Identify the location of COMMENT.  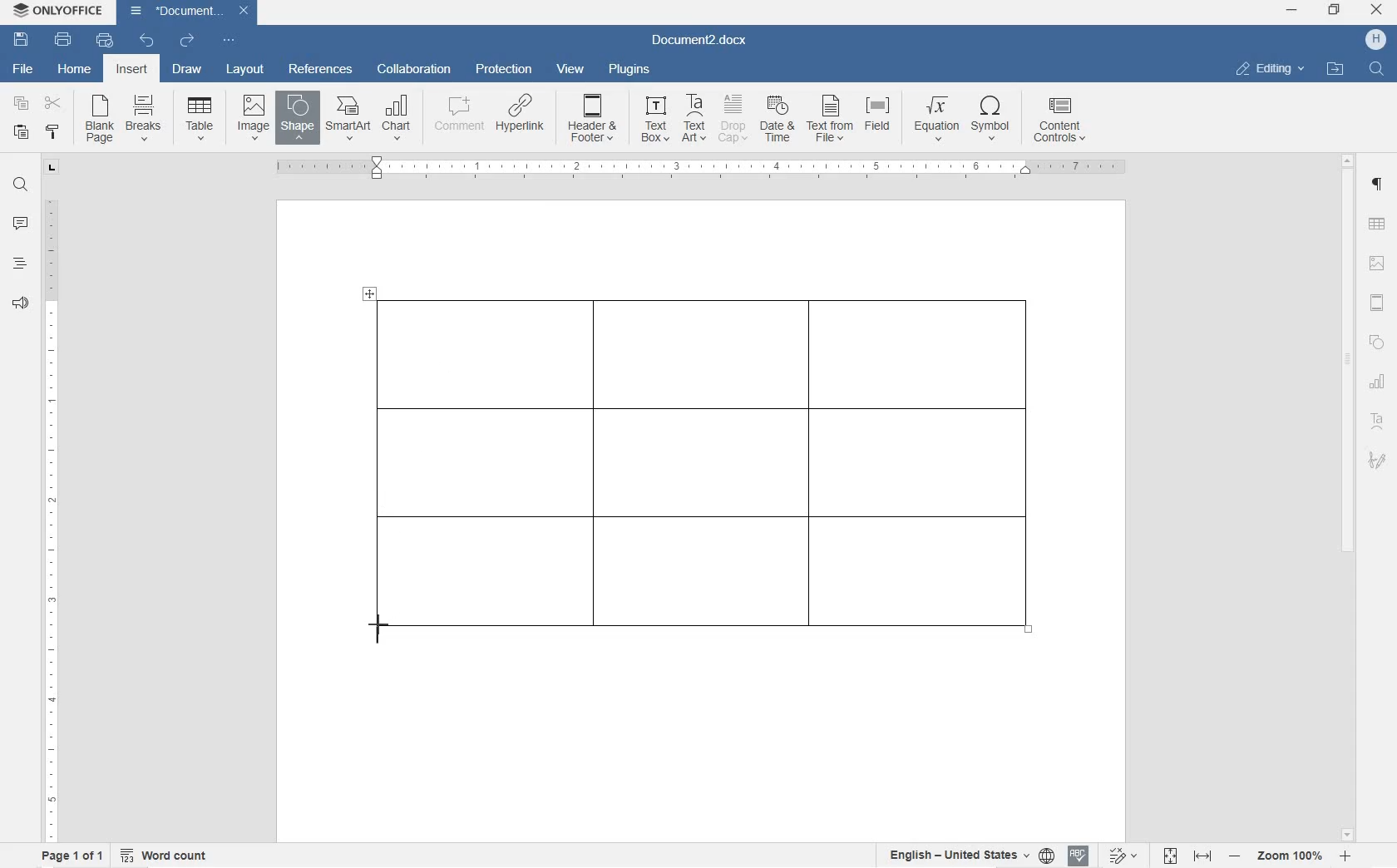
(458, 119).